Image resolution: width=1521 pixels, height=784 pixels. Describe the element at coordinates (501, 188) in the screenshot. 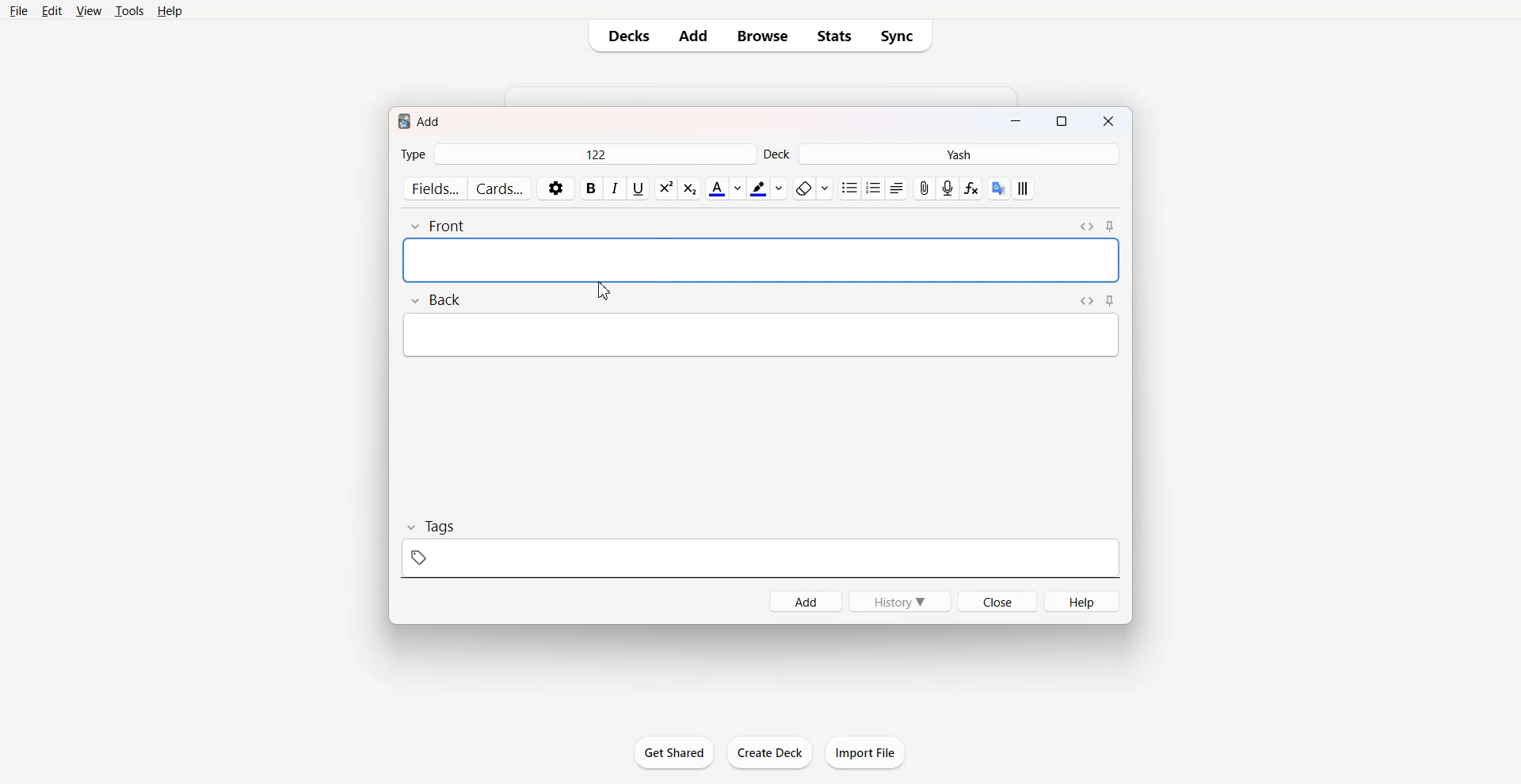

I see `Cards` at that location.